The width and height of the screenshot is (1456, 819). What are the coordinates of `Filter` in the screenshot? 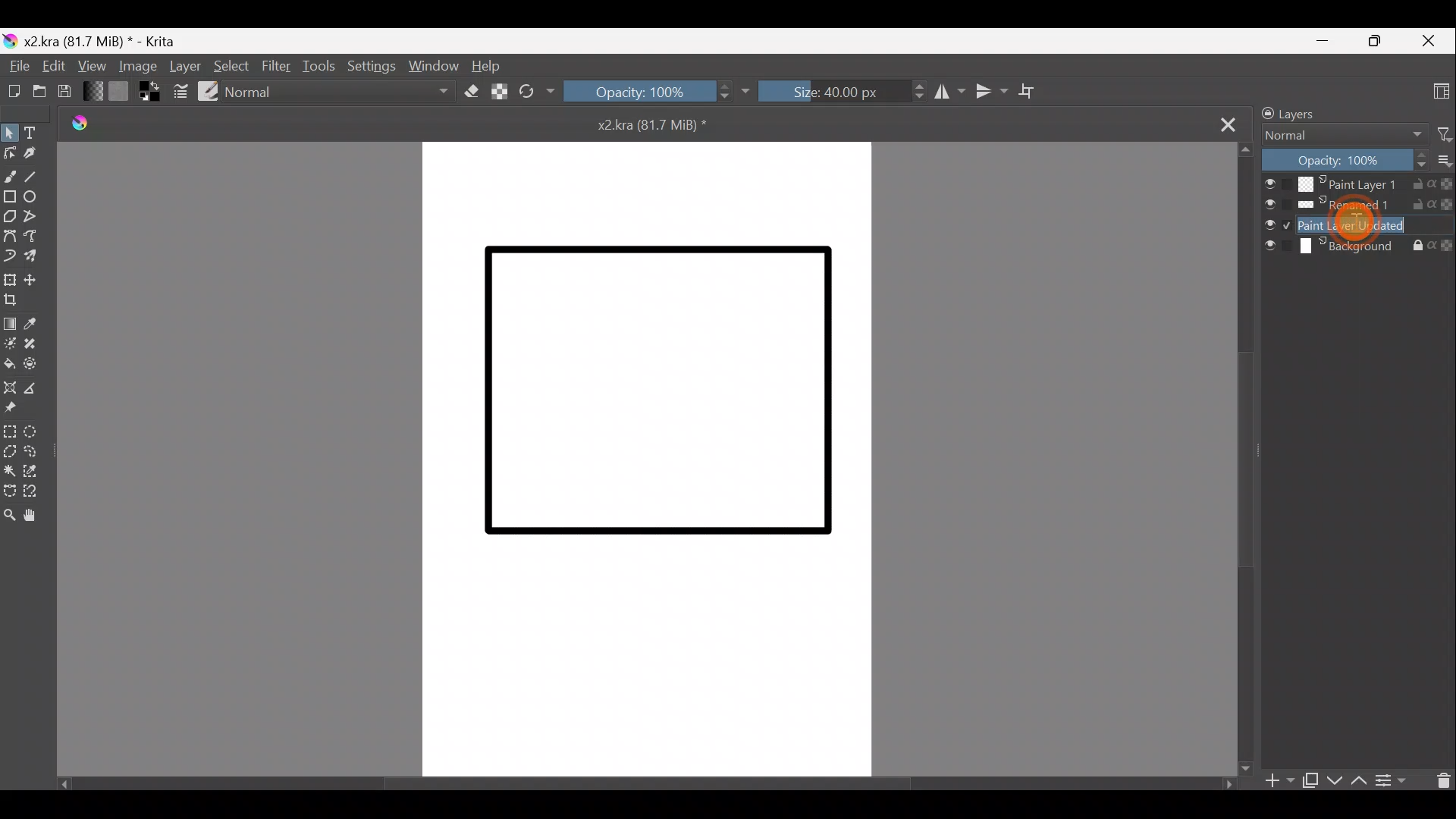 It's located at (277, 67).